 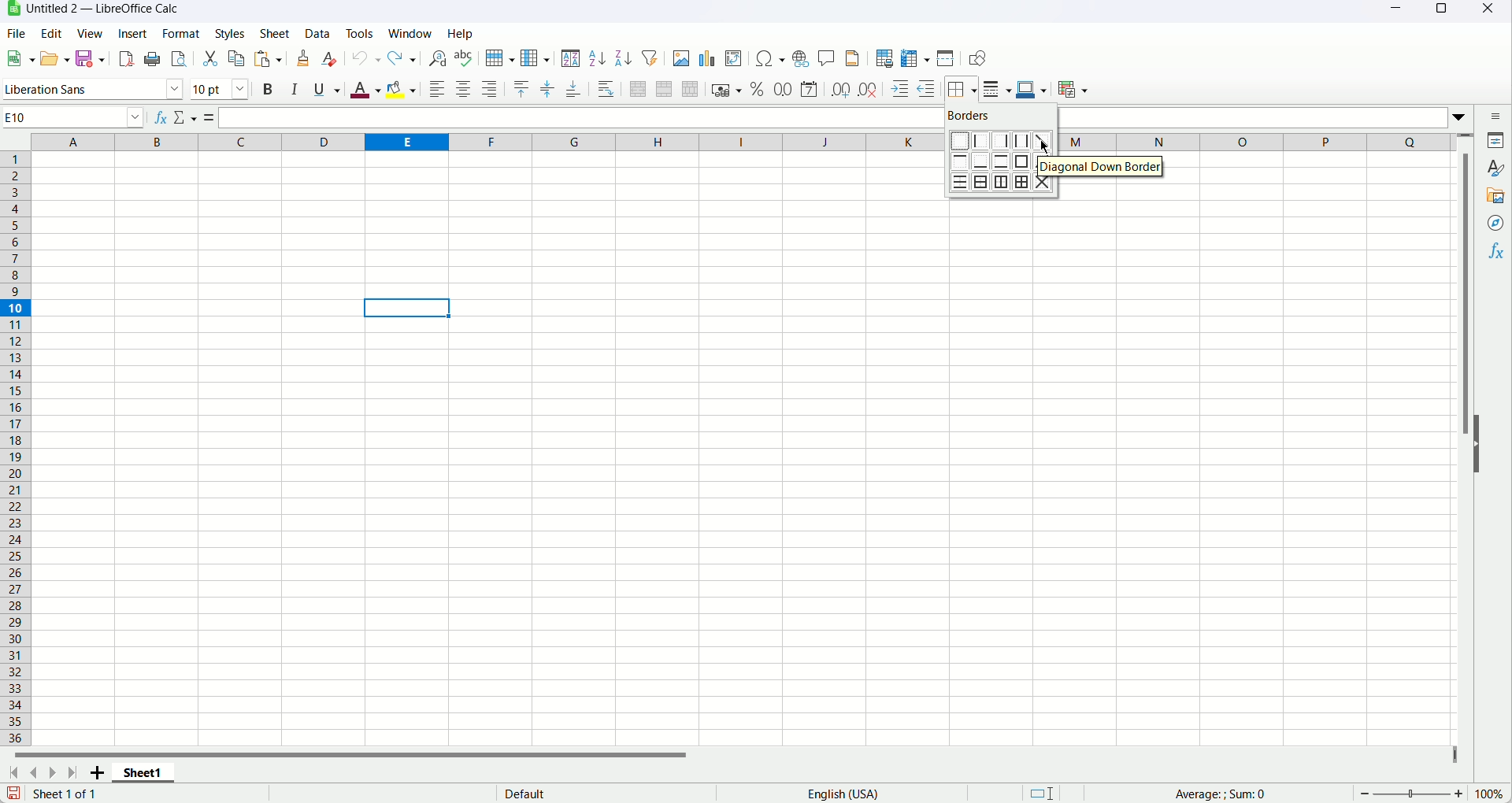 What do you see at coordinates (997, 89) in the screenshot?
I see `Border Style` at bounding box center [997, 89].